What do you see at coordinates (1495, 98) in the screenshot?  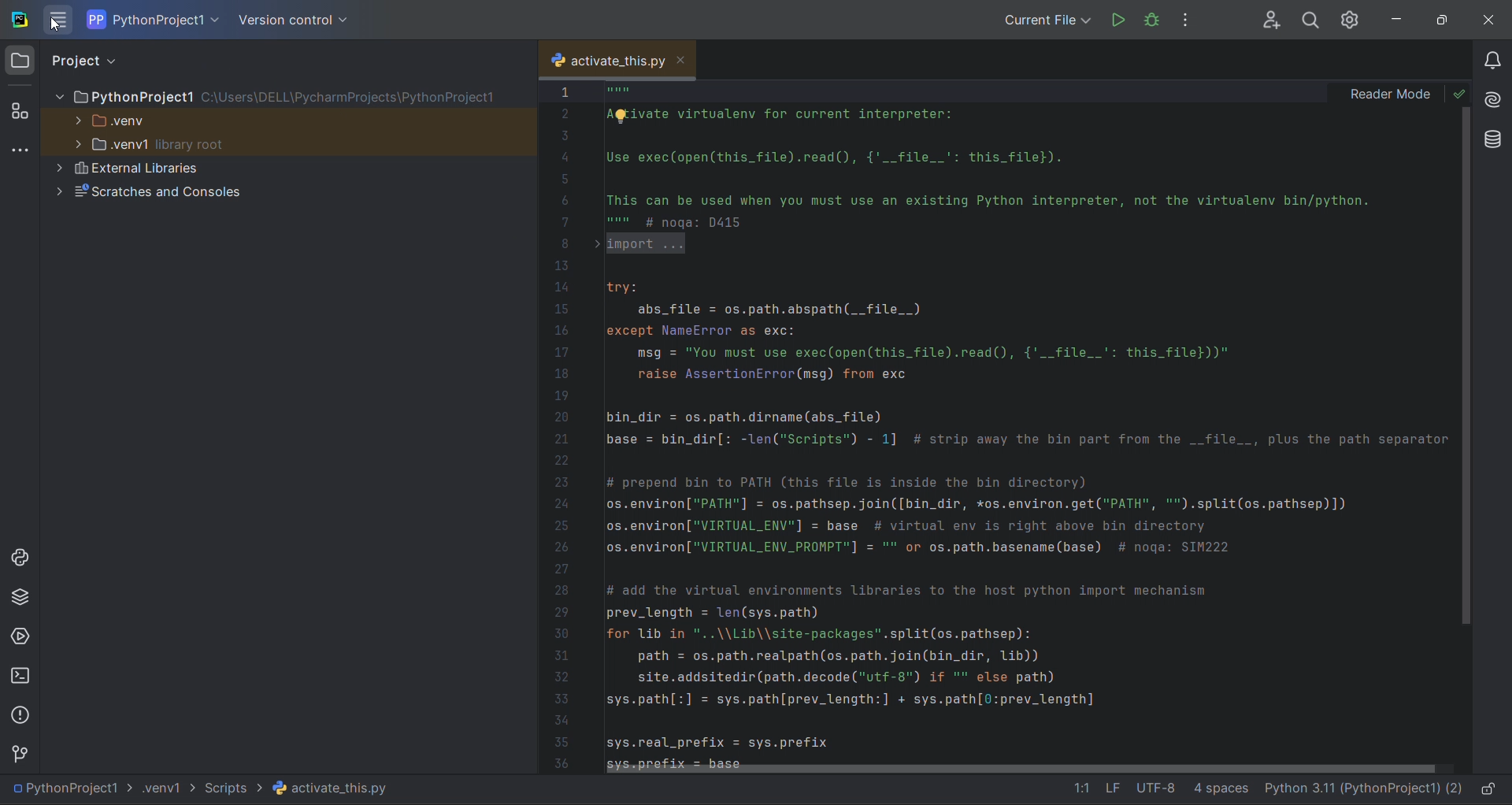 I see `ai tool` at bounding box center [1495, 98].